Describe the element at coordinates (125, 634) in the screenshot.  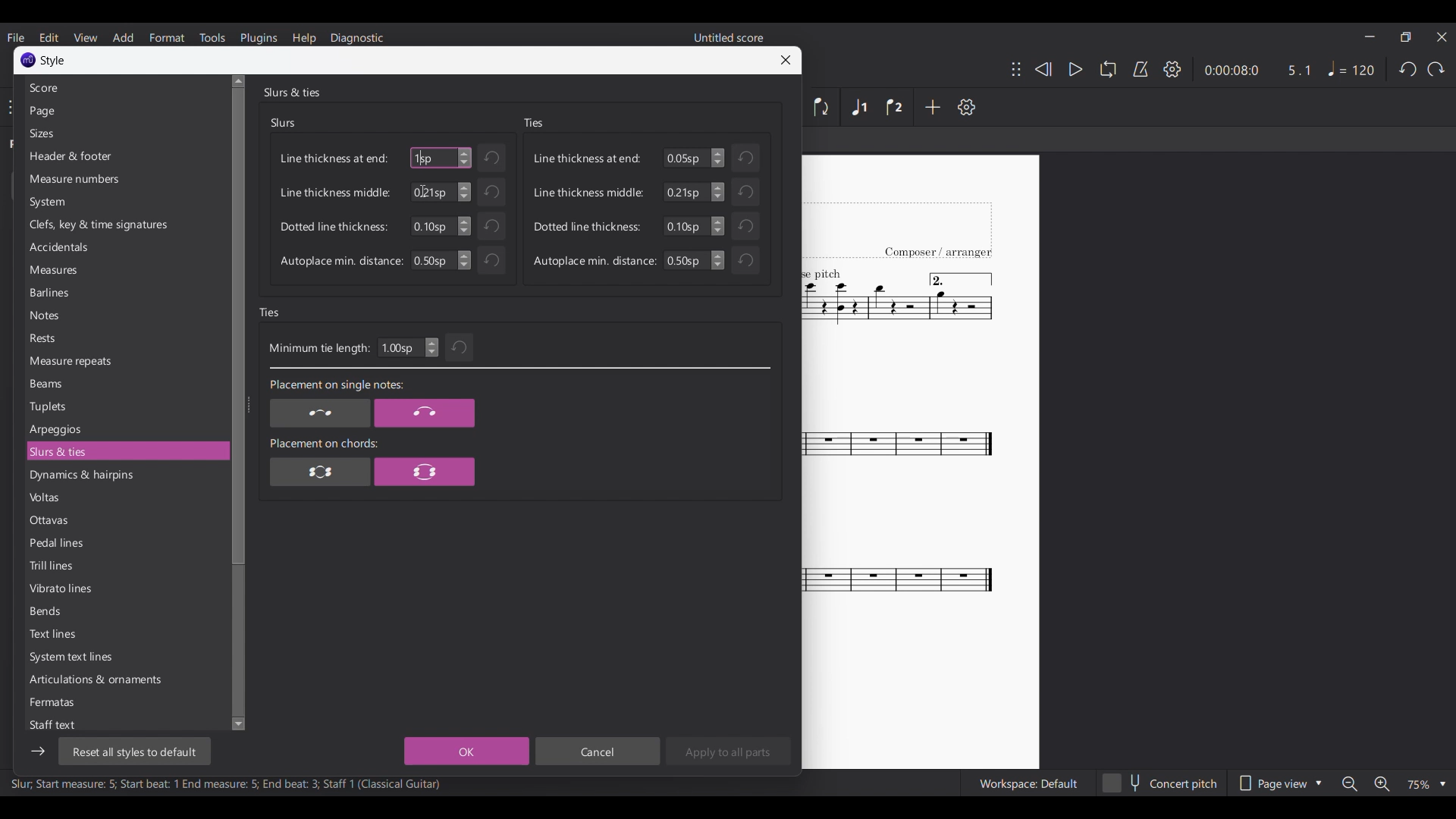
I see `Text lines` at that location.